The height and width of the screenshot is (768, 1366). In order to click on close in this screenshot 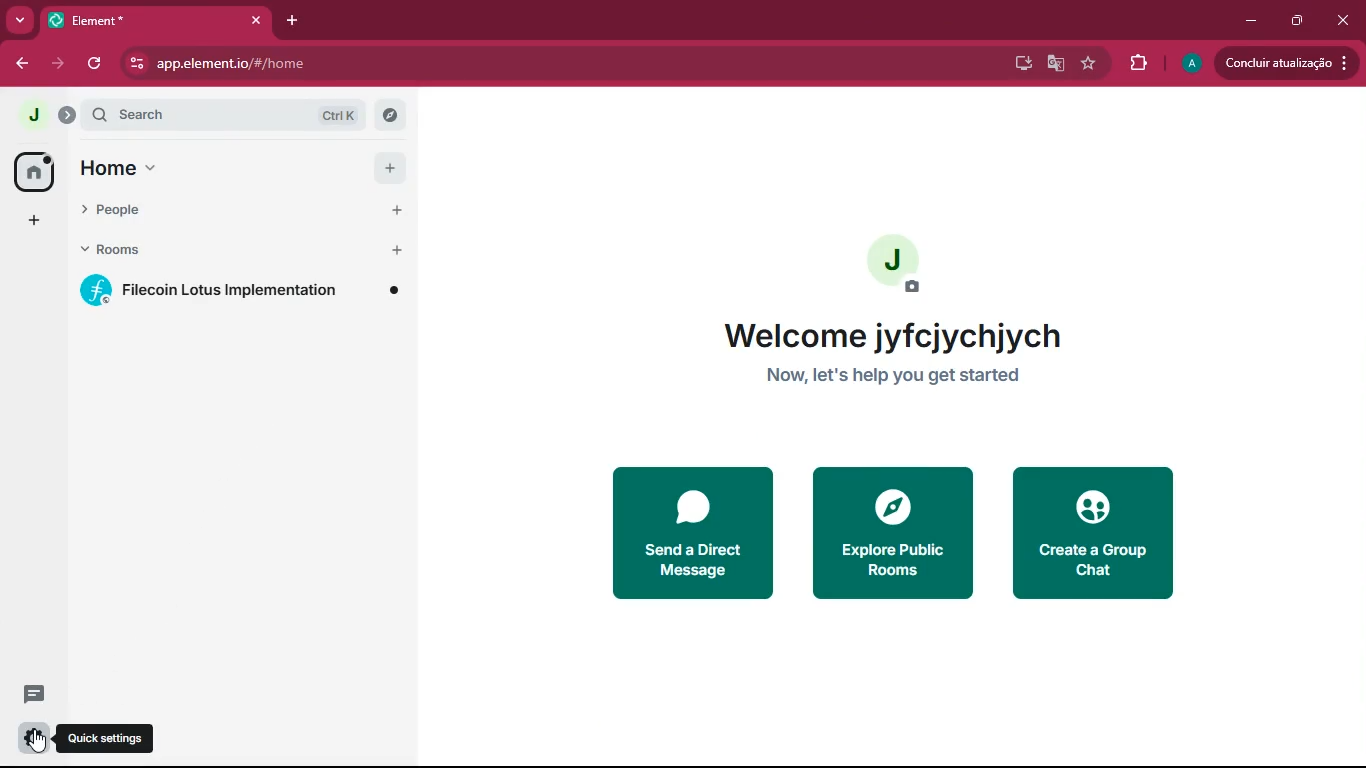, I will do `click(1341, 20)`.